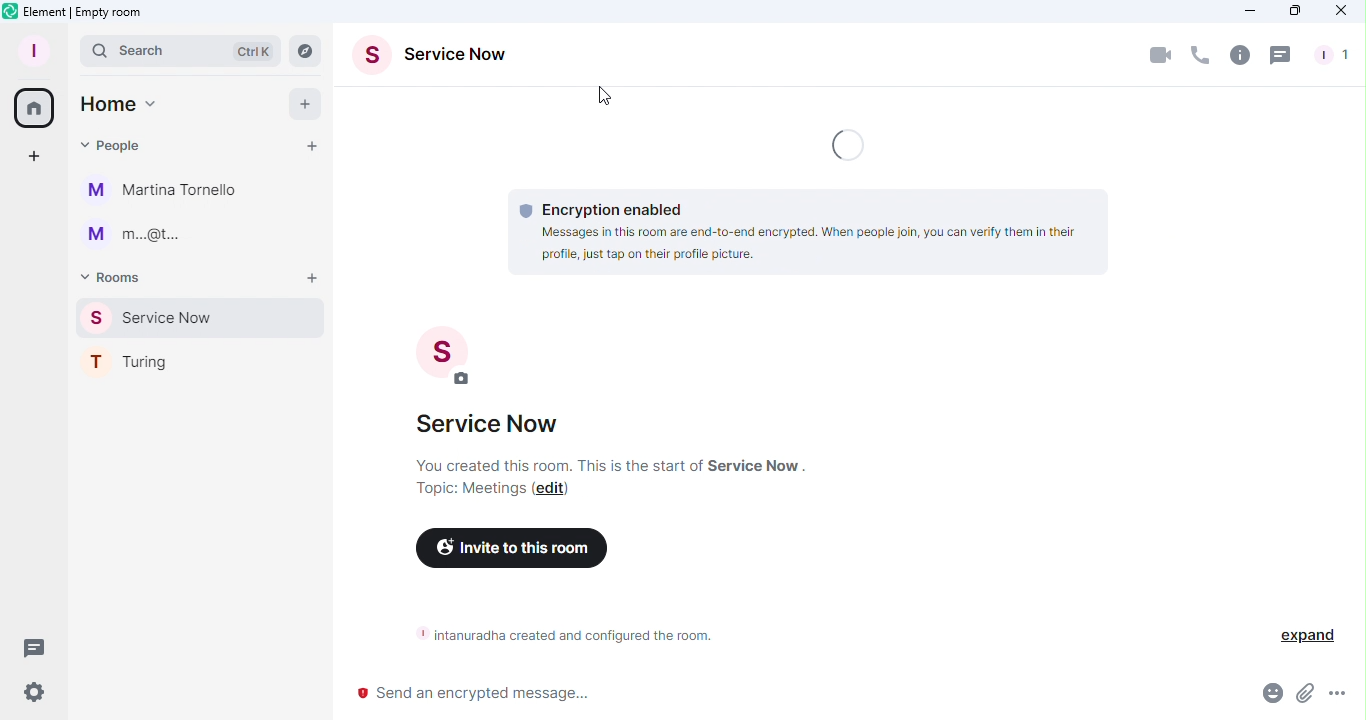  What do you see at coordinates (1345, 11) in the screenshot?
I see `Close` at bounding box center [1345, 11].